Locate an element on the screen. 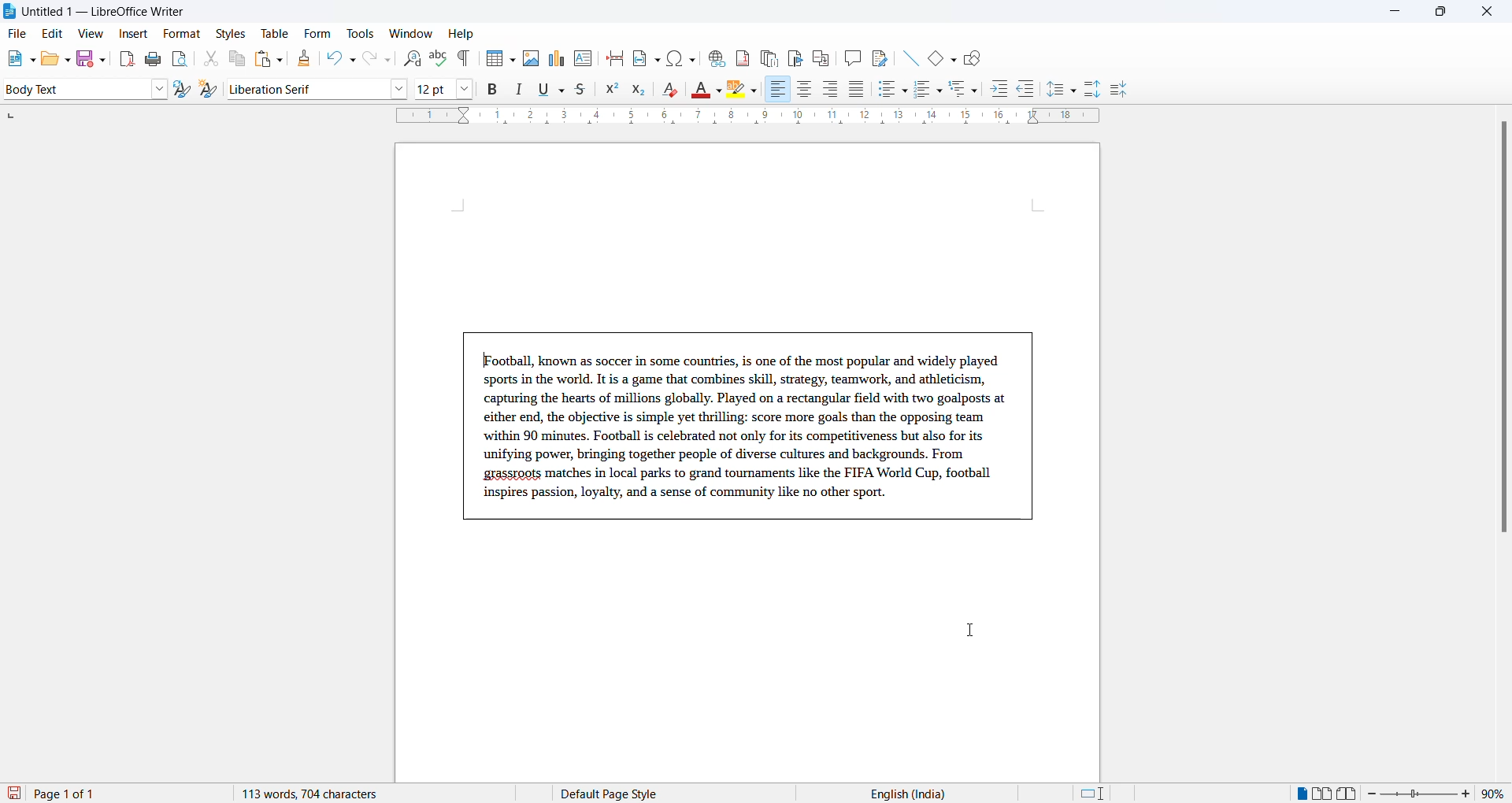 The height and width of the screenshot is (803, 1512). single page view is located at coordinates (1300, 794).